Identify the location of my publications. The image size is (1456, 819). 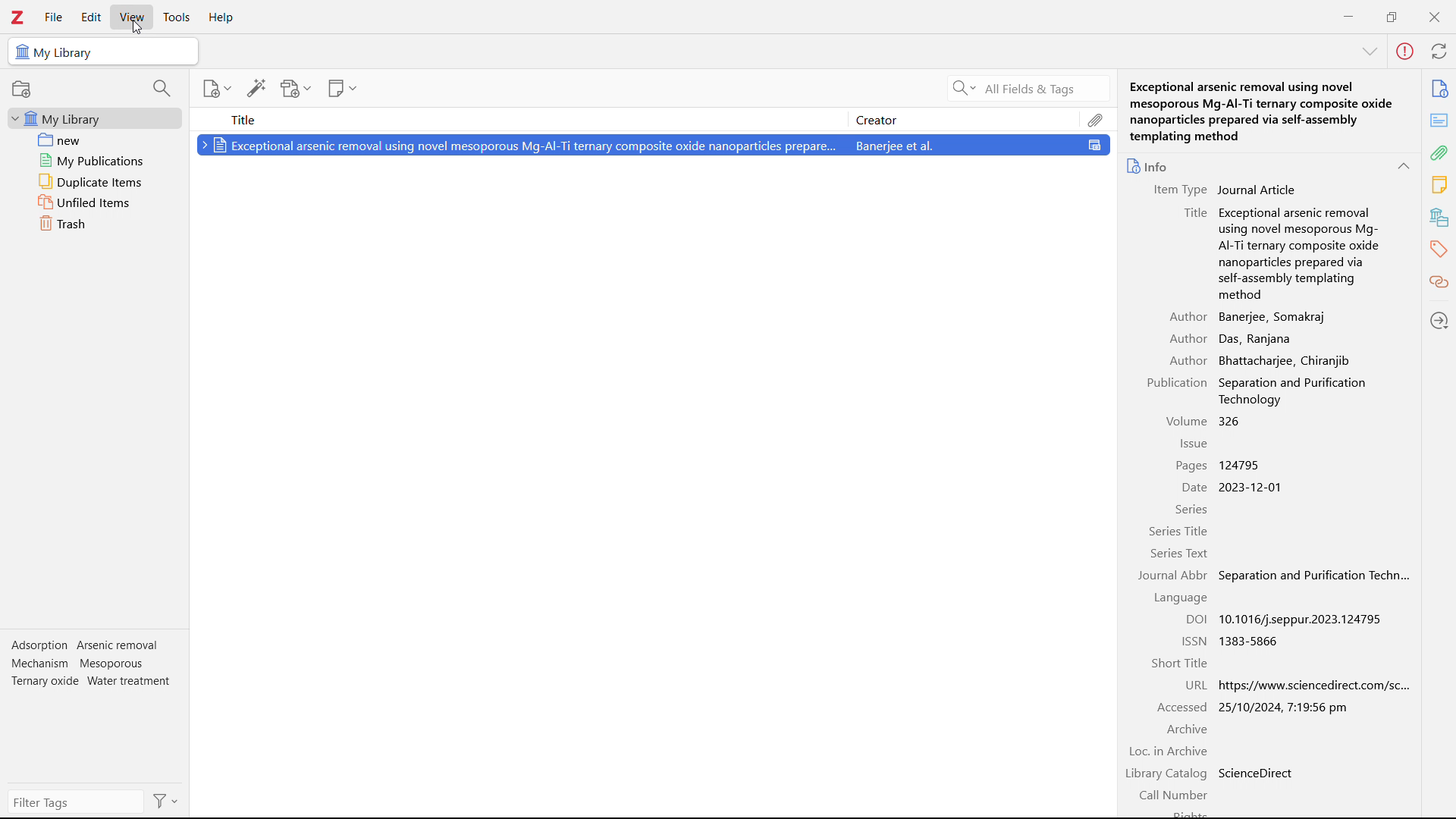
(94, 160).